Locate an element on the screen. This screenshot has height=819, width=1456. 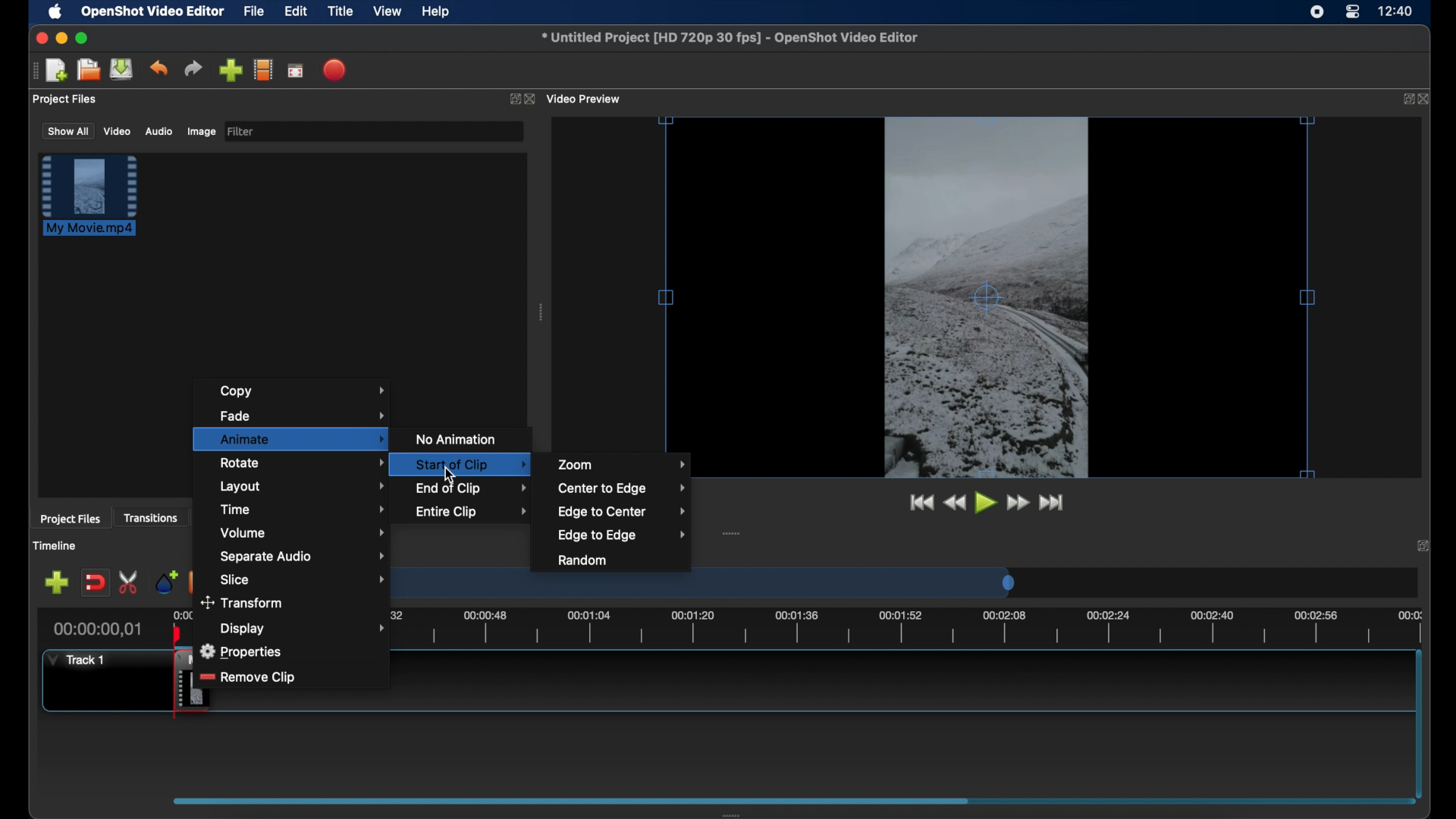
previous marker is located at coordinates (193, 580).